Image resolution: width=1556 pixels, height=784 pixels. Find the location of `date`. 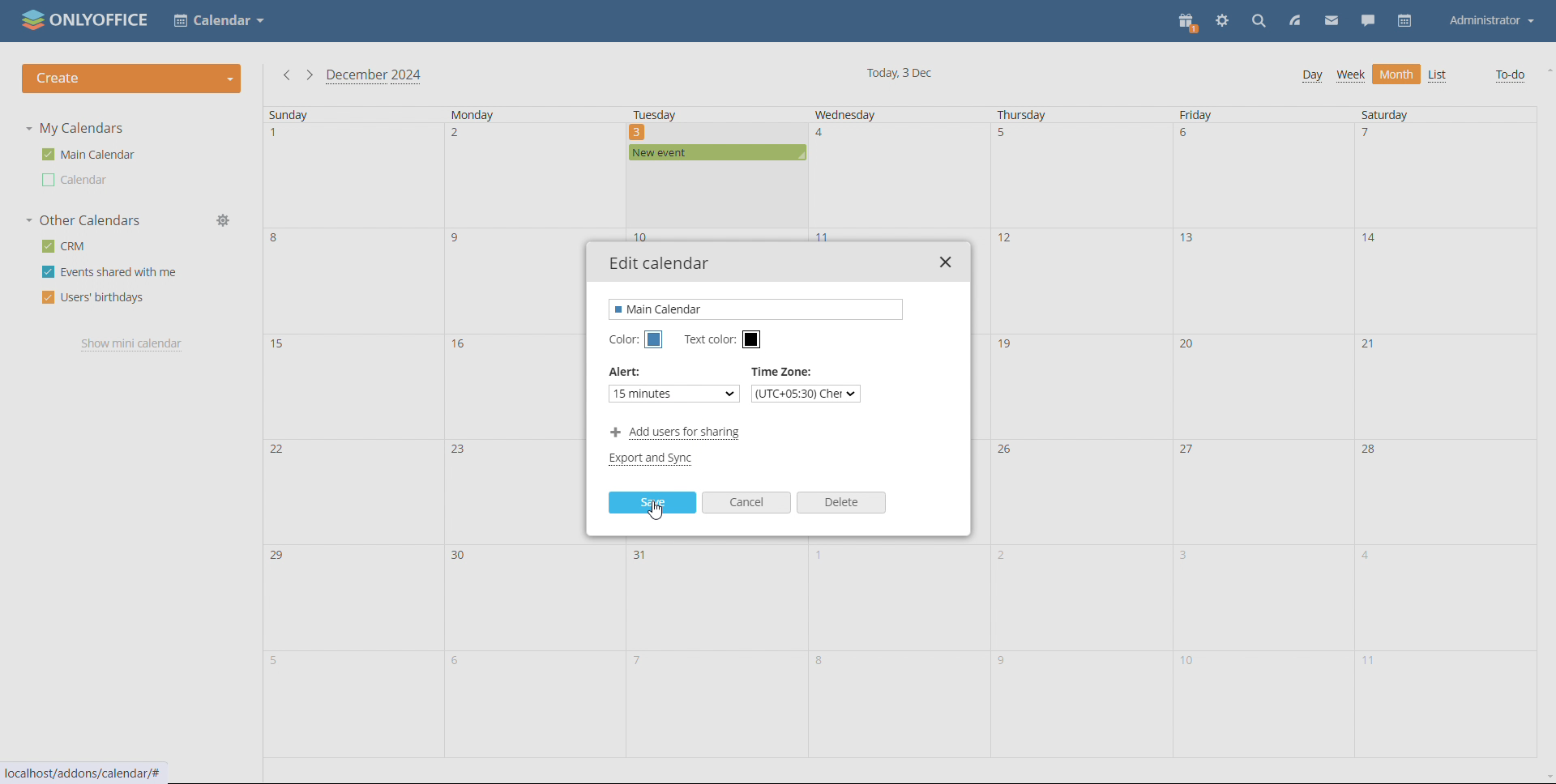

date is located at coordinates (718, 598).